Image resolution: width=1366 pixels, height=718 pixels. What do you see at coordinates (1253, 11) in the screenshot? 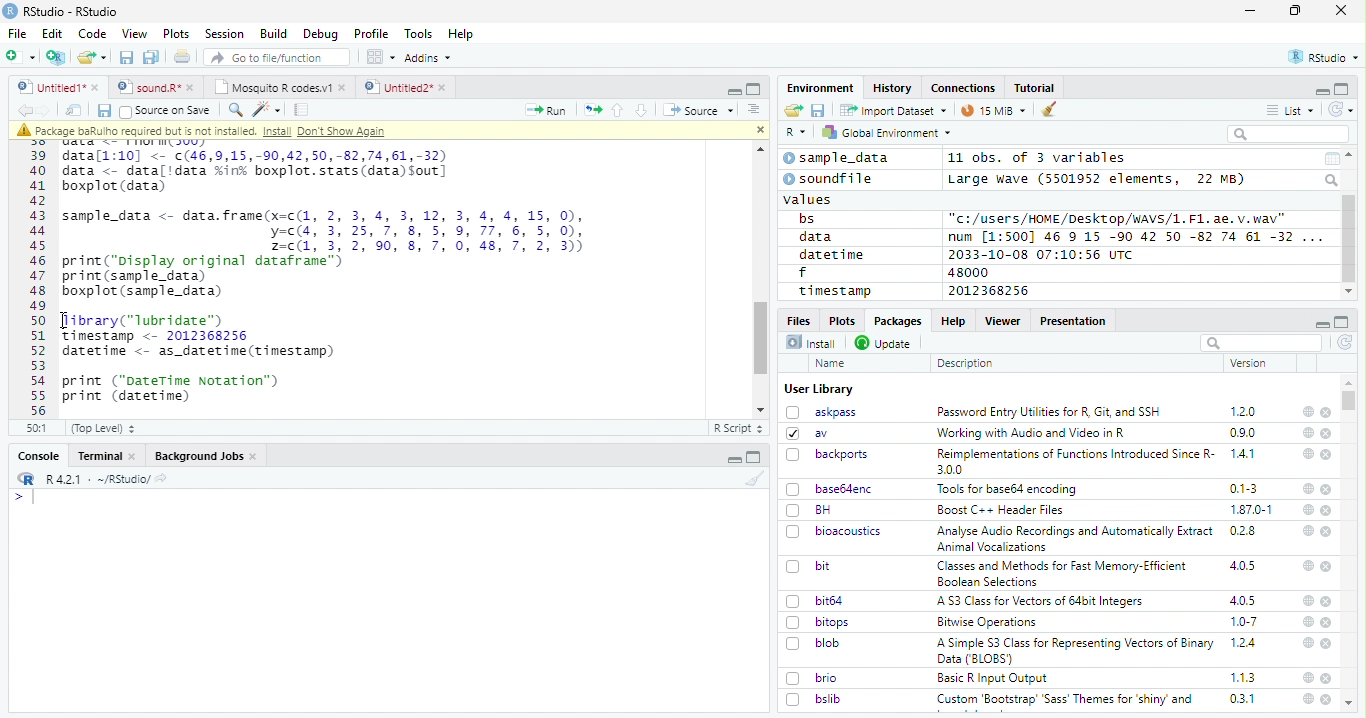
I see `minimize` at bounding box center [1253, 11].